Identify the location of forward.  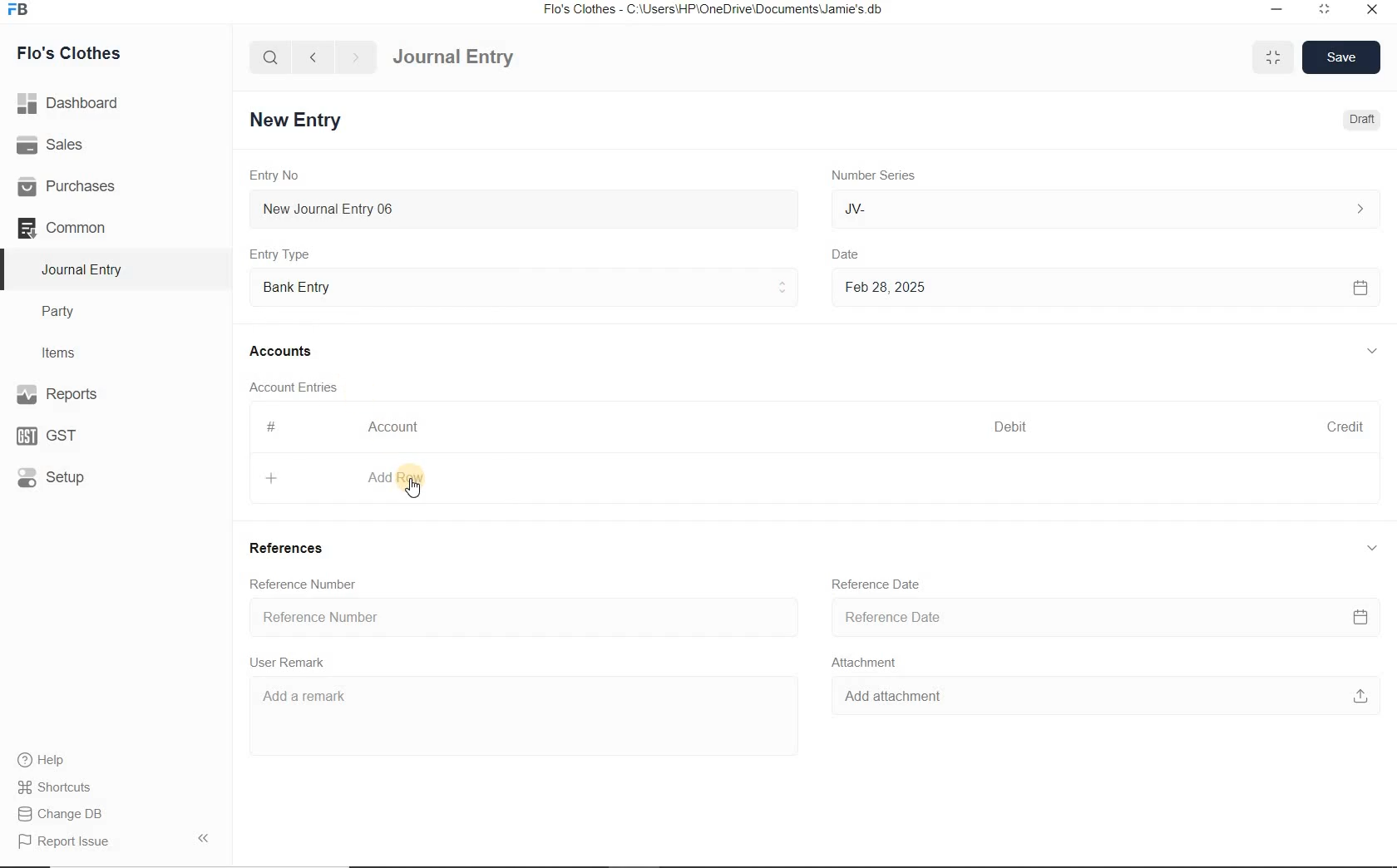
(357, 57).